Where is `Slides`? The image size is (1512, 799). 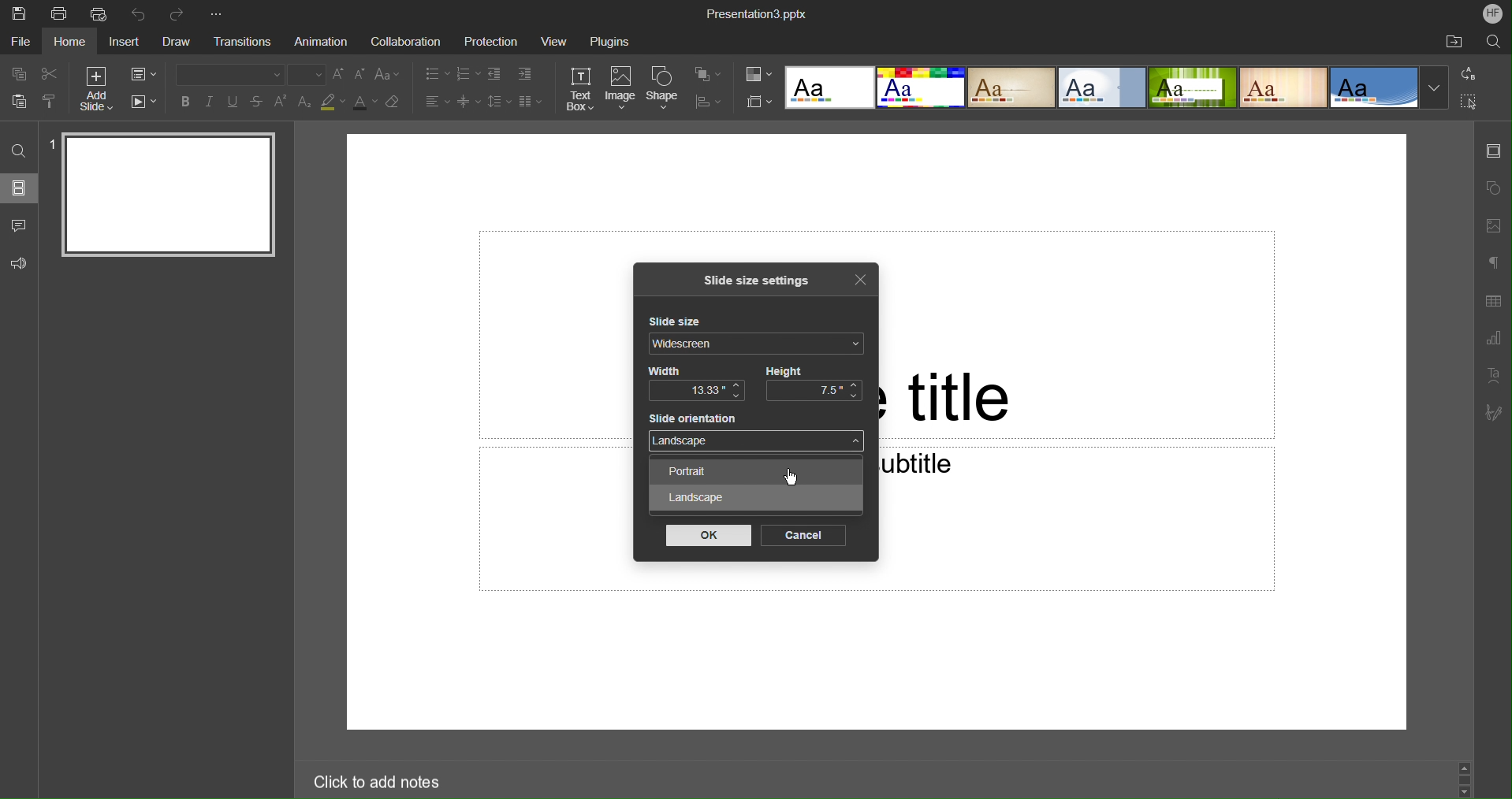
Slides is located at coordinates (19, 188).